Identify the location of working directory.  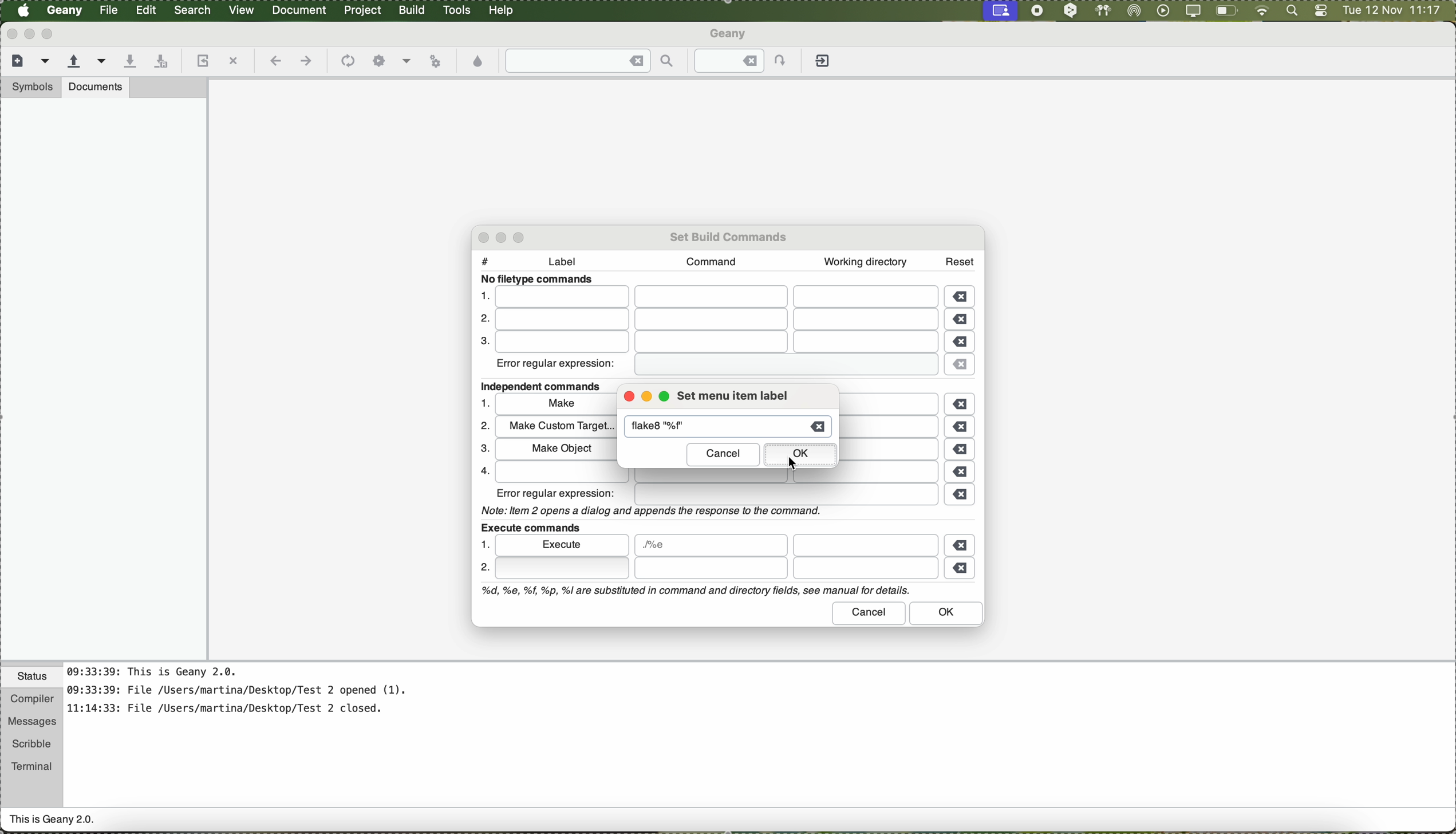
(865, 262).